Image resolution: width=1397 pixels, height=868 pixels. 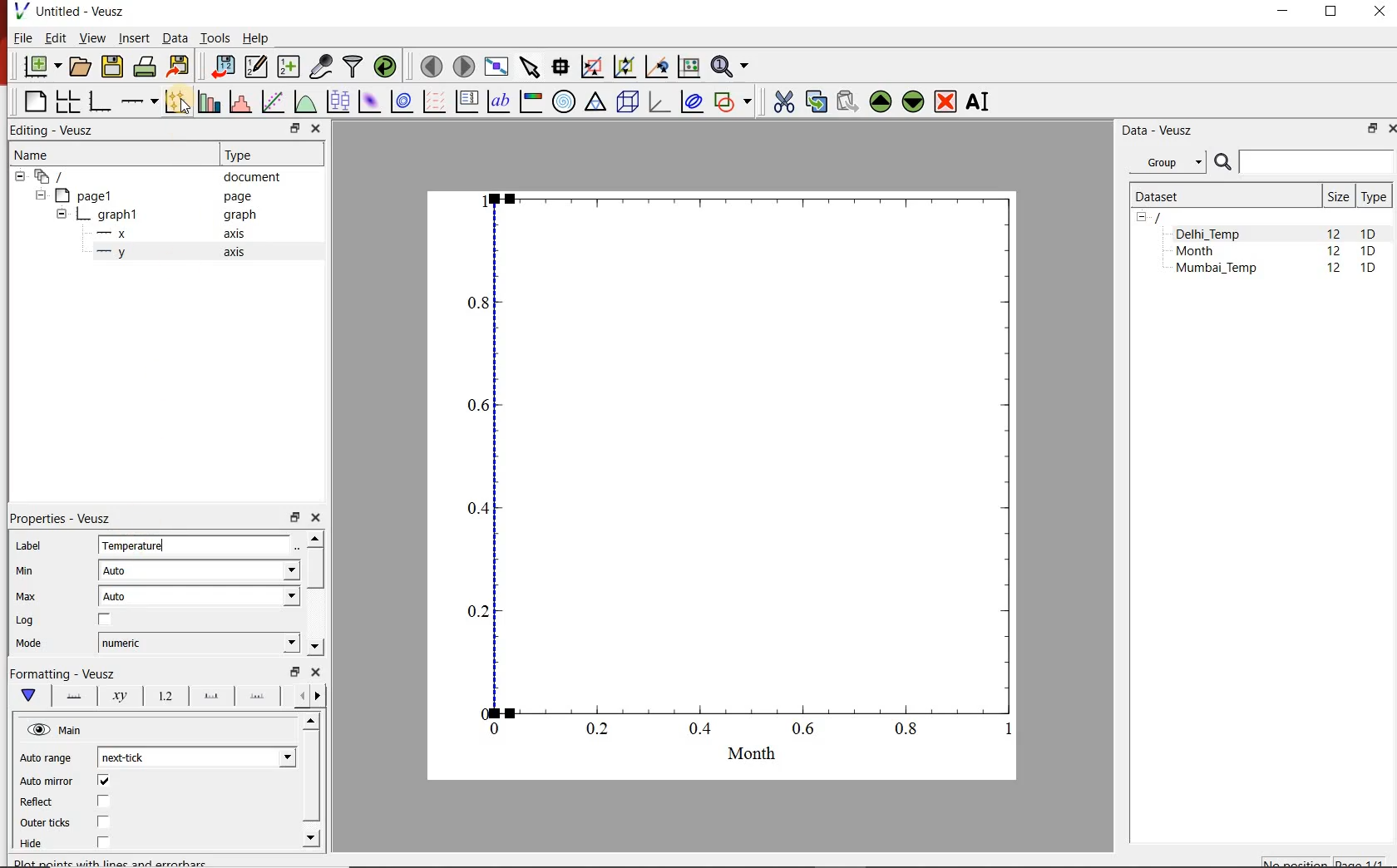 I want to click on document, so click(x=151, y=175).